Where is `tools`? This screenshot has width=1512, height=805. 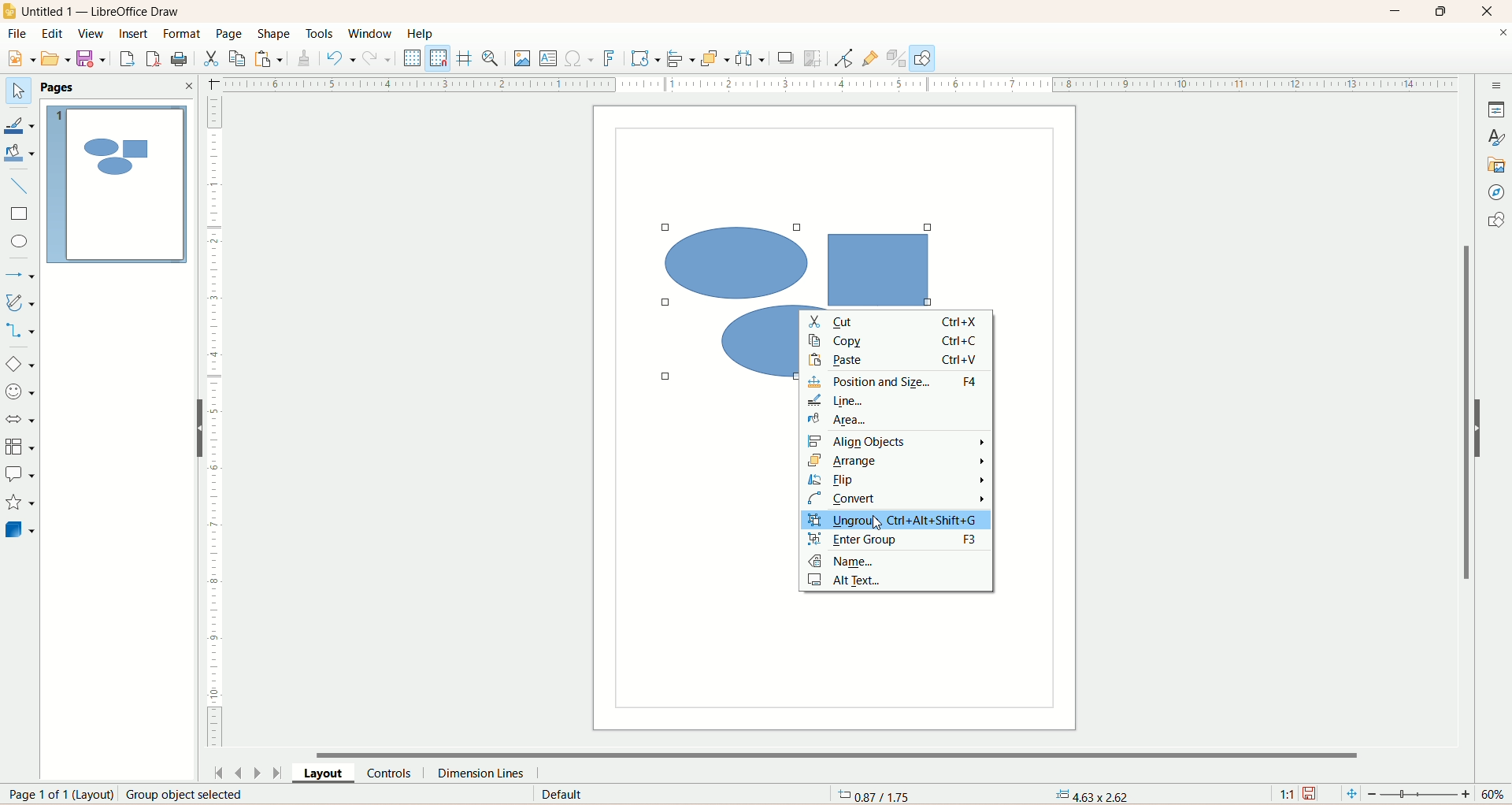 tools is located at coordinates (320, 33).